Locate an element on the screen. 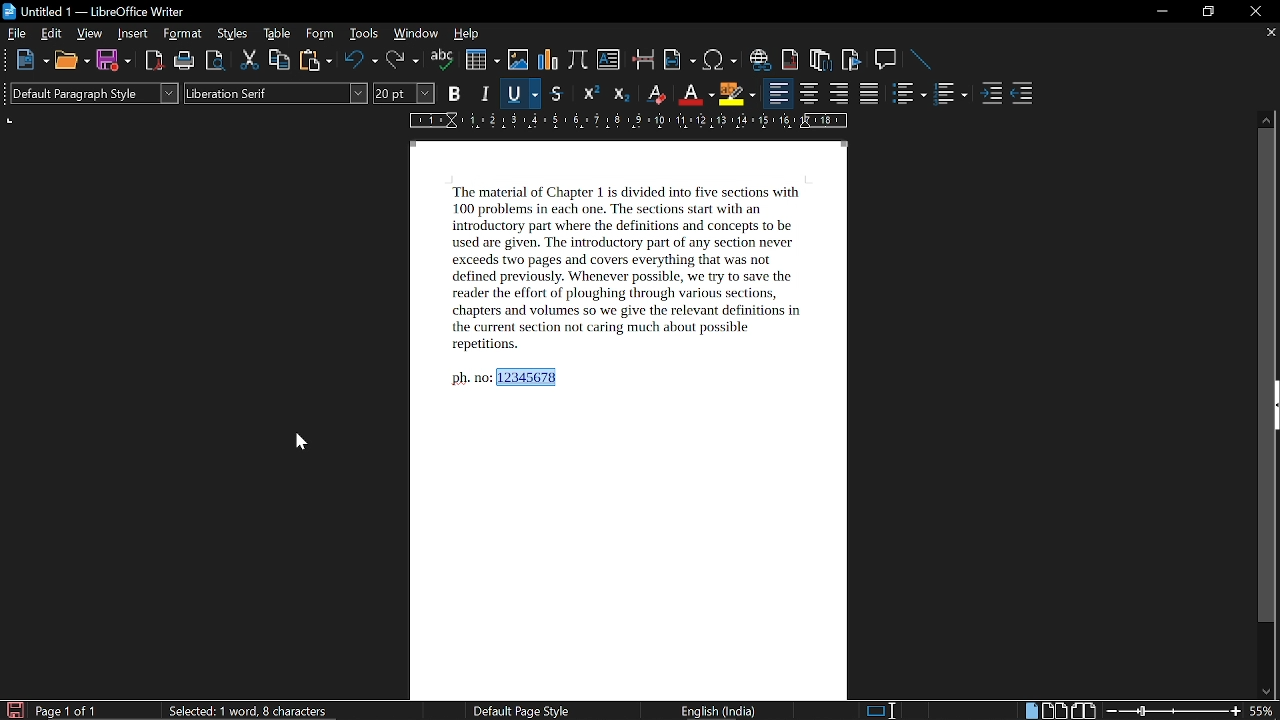  window is located at coordinates (415, 35).